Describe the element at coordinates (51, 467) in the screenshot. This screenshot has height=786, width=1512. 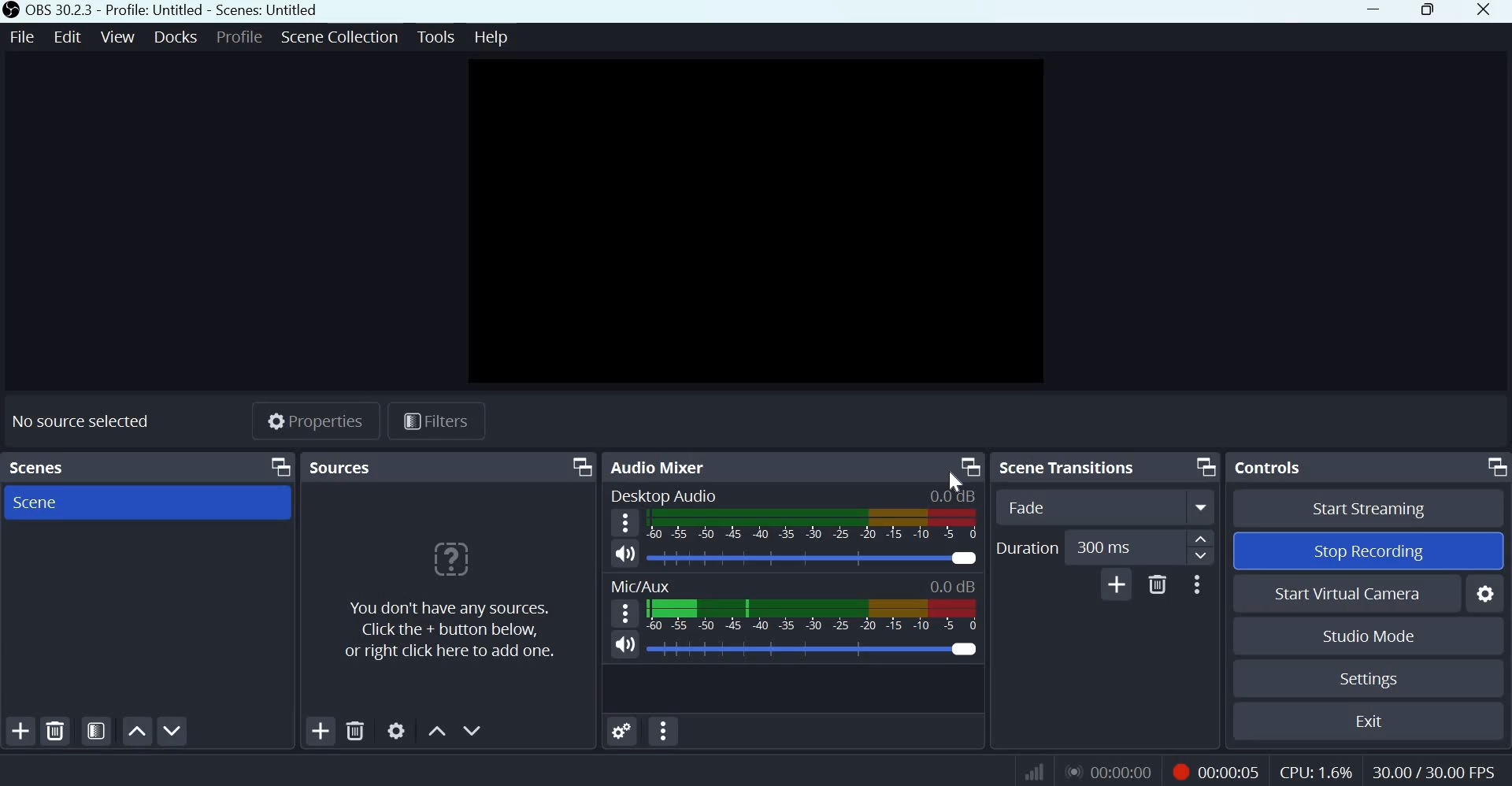
I see `Scenes` at that location.